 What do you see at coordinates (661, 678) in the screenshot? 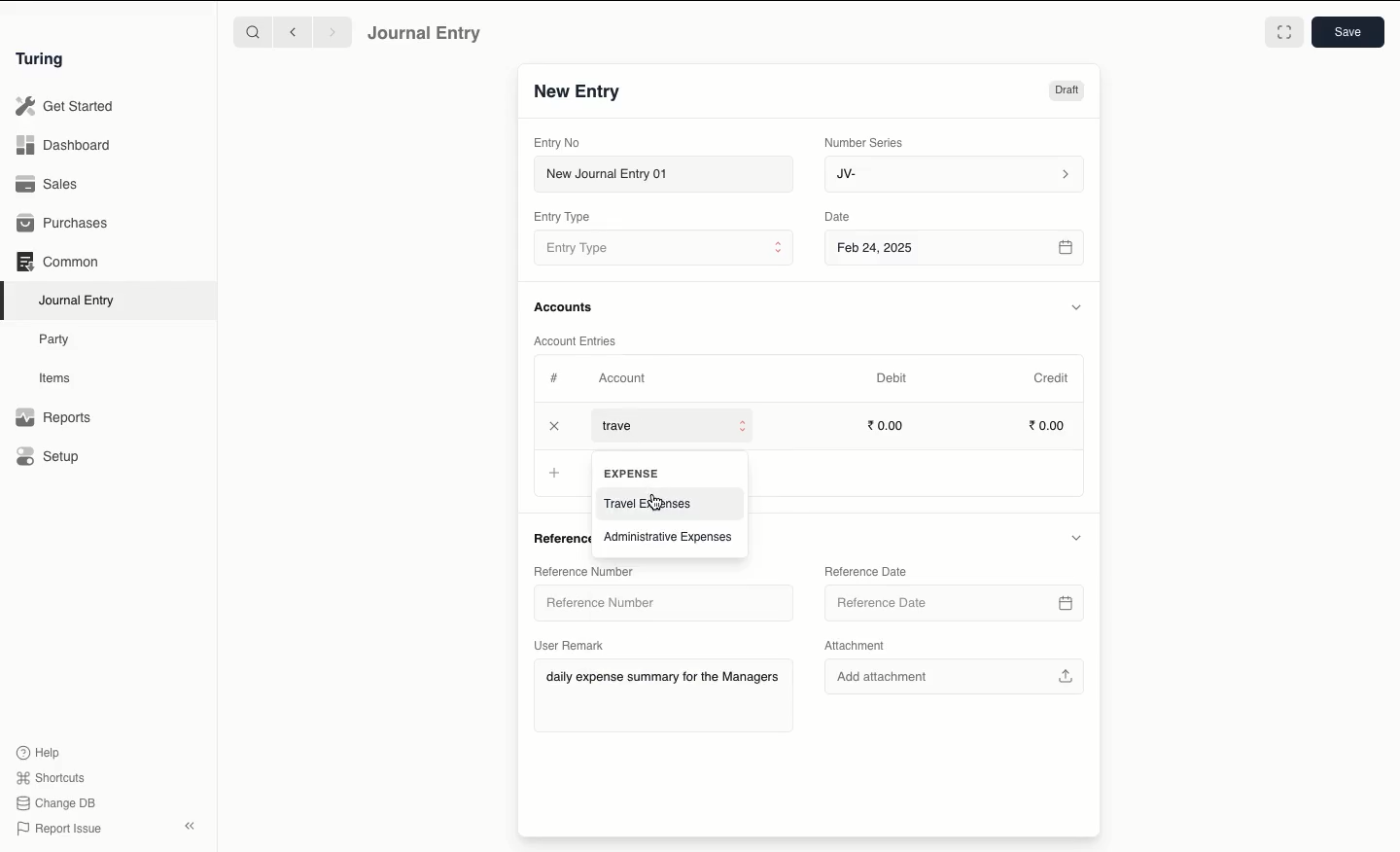
I see `daily expense summary for the Managers` at bounding box center [661, 678].